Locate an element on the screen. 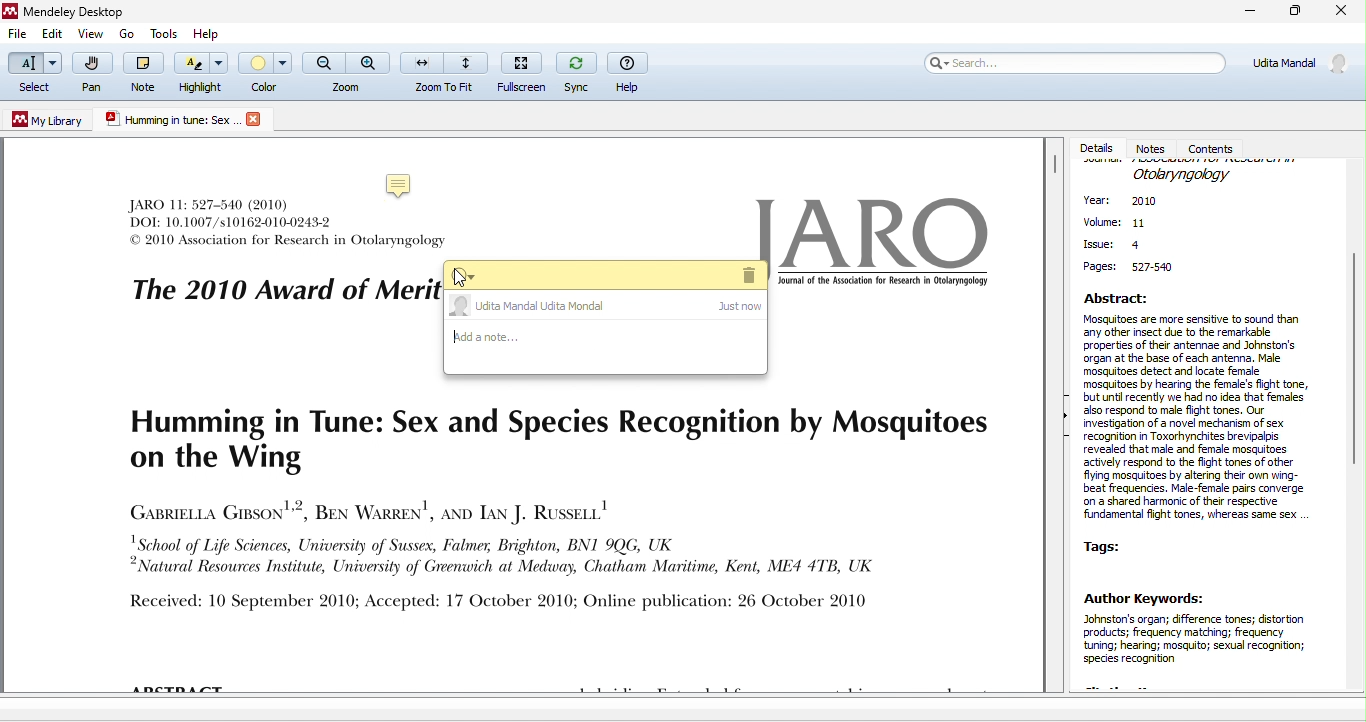 The image size is (1366, 722). help is located at coordinates (208, 34).